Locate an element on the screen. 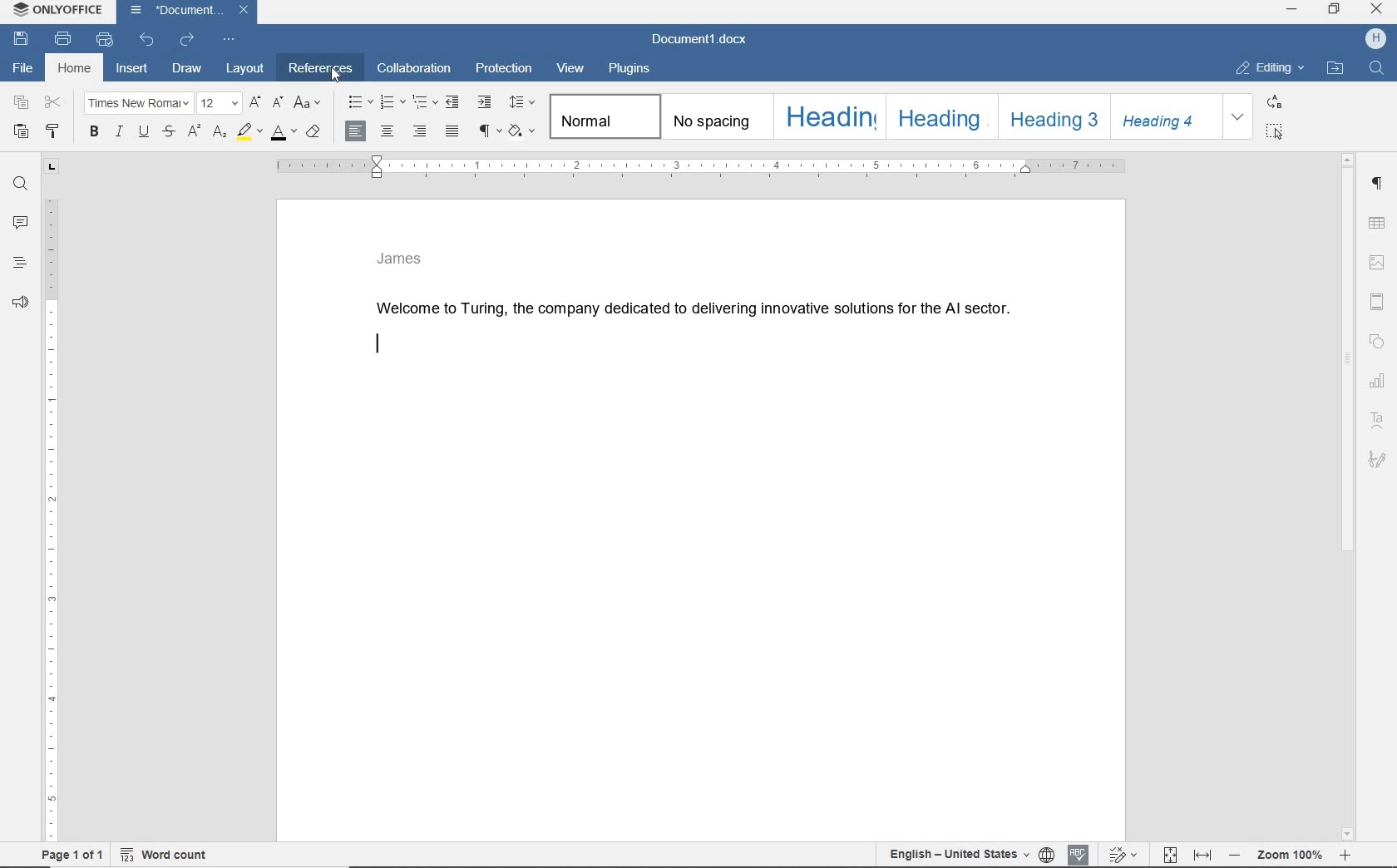 Image resolution: width=1397 pixels, height=868 pixels. save is located at coordinates (20, 38).